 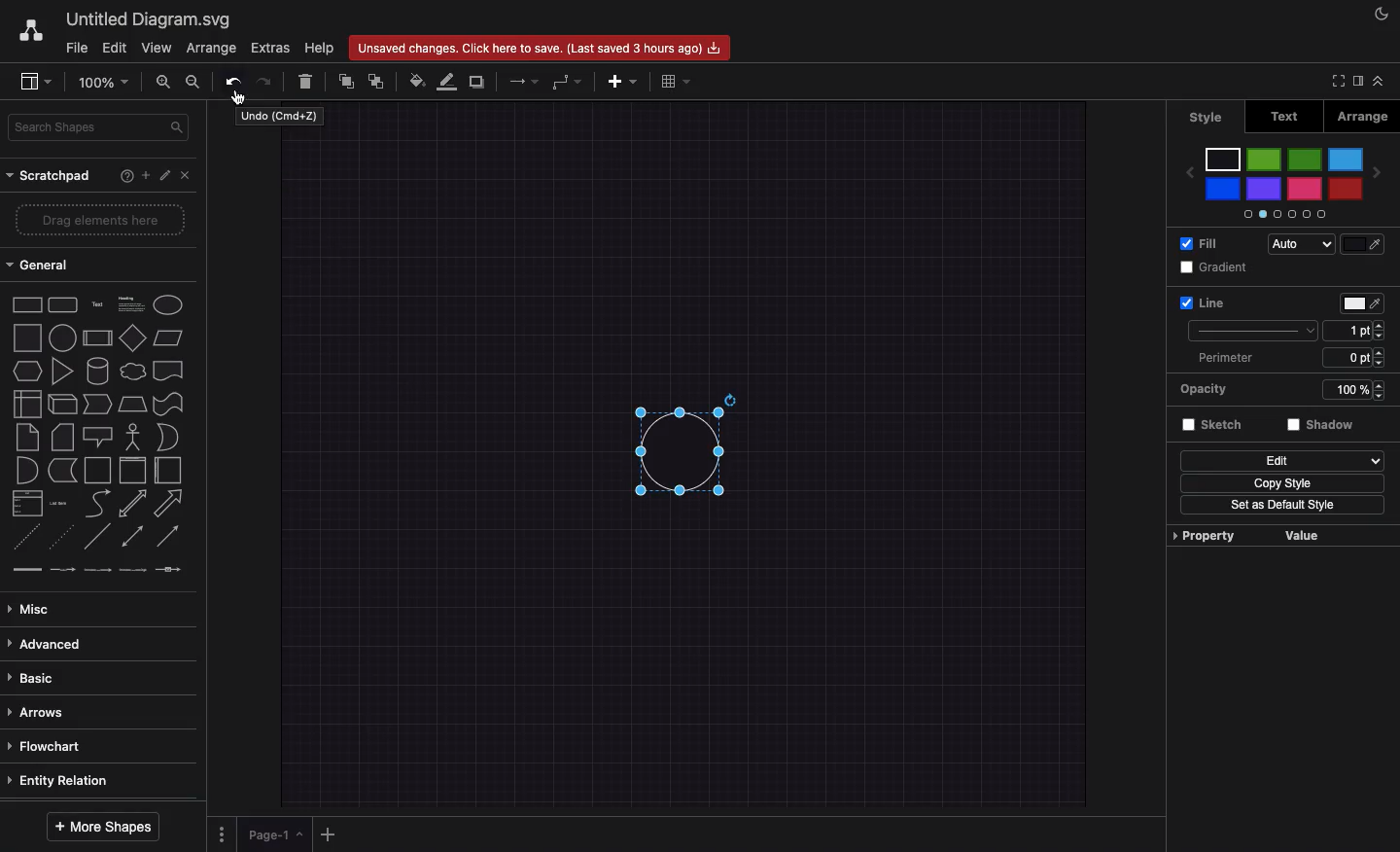 I want to click on Arrange, so click(x=1365, y=116).